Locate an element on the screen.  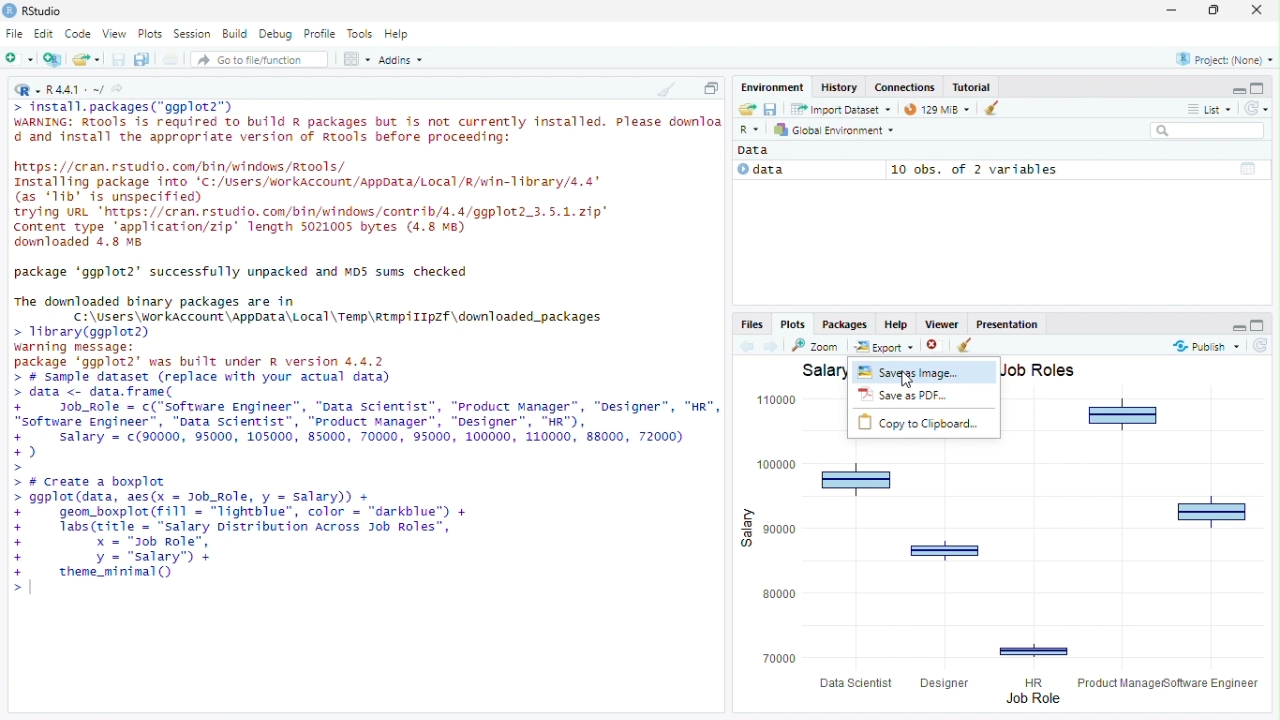
Environment is located at coordinates (773, 87).